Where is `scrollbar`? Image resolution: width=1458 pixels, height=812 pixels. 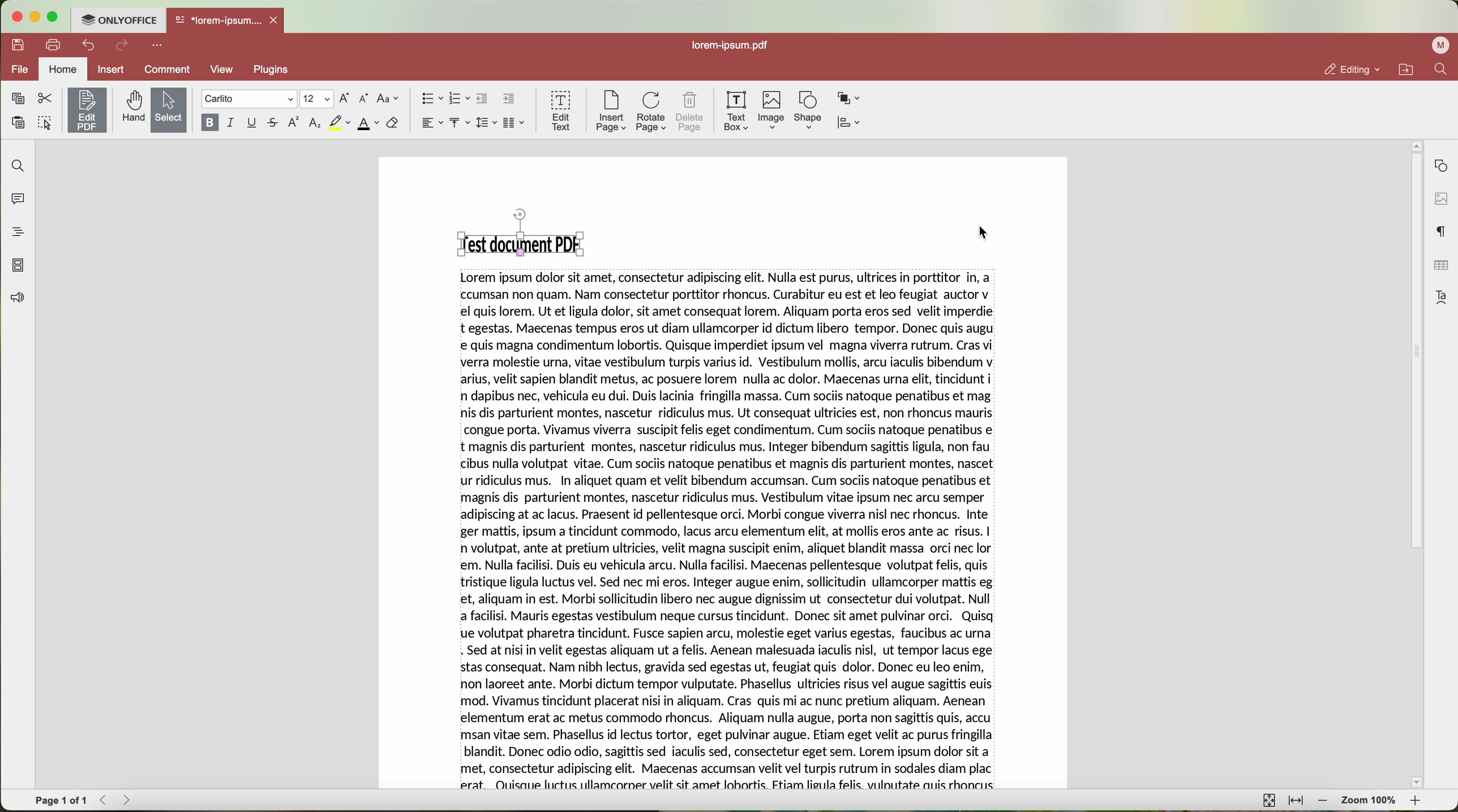
scrollbar is located at coordinates (1415, 460).